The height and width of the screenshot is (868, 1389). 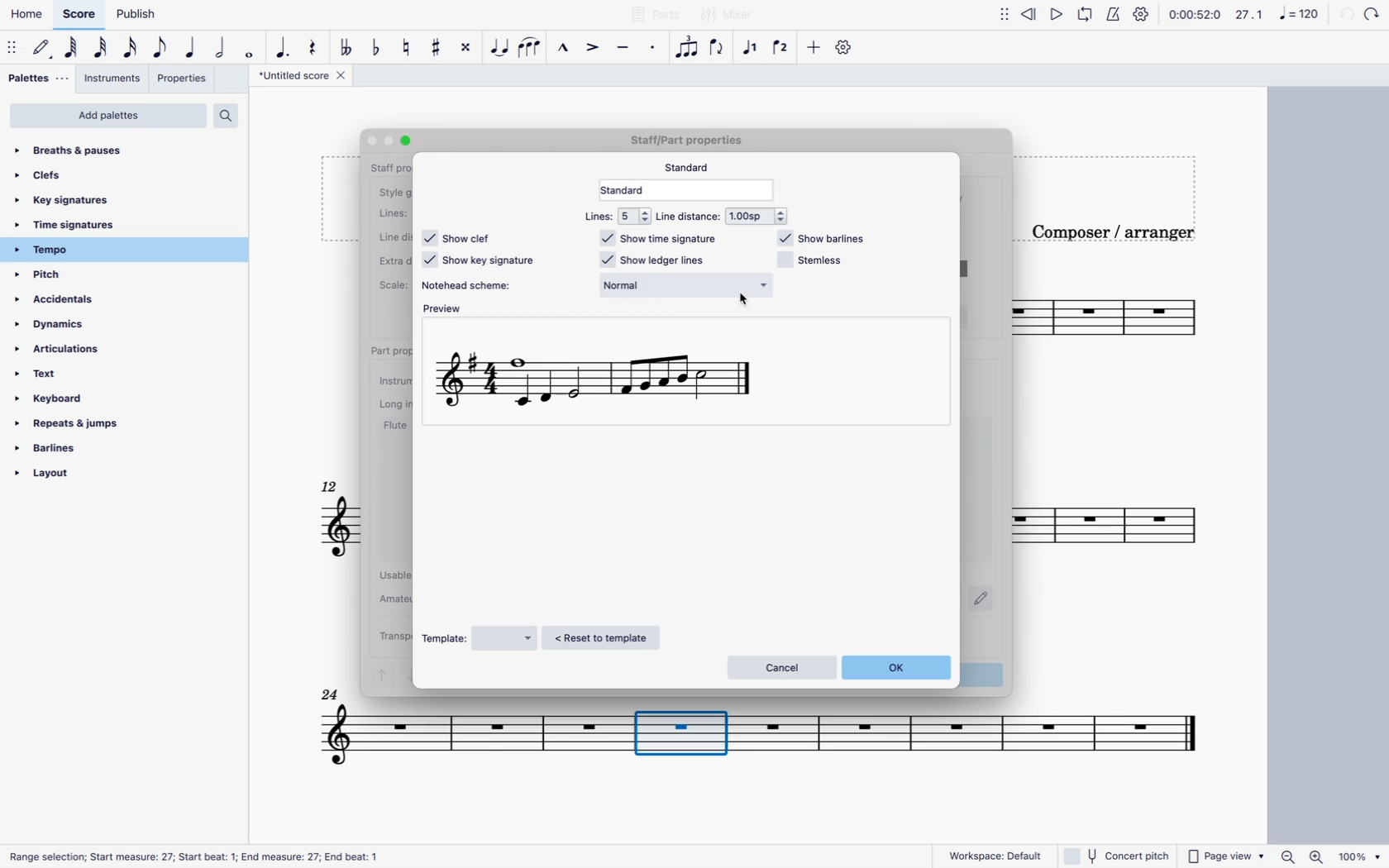 What do you see at coordinates (73, 48) in the screenshot?
I see `64th note` at bounding box center [73, 48].